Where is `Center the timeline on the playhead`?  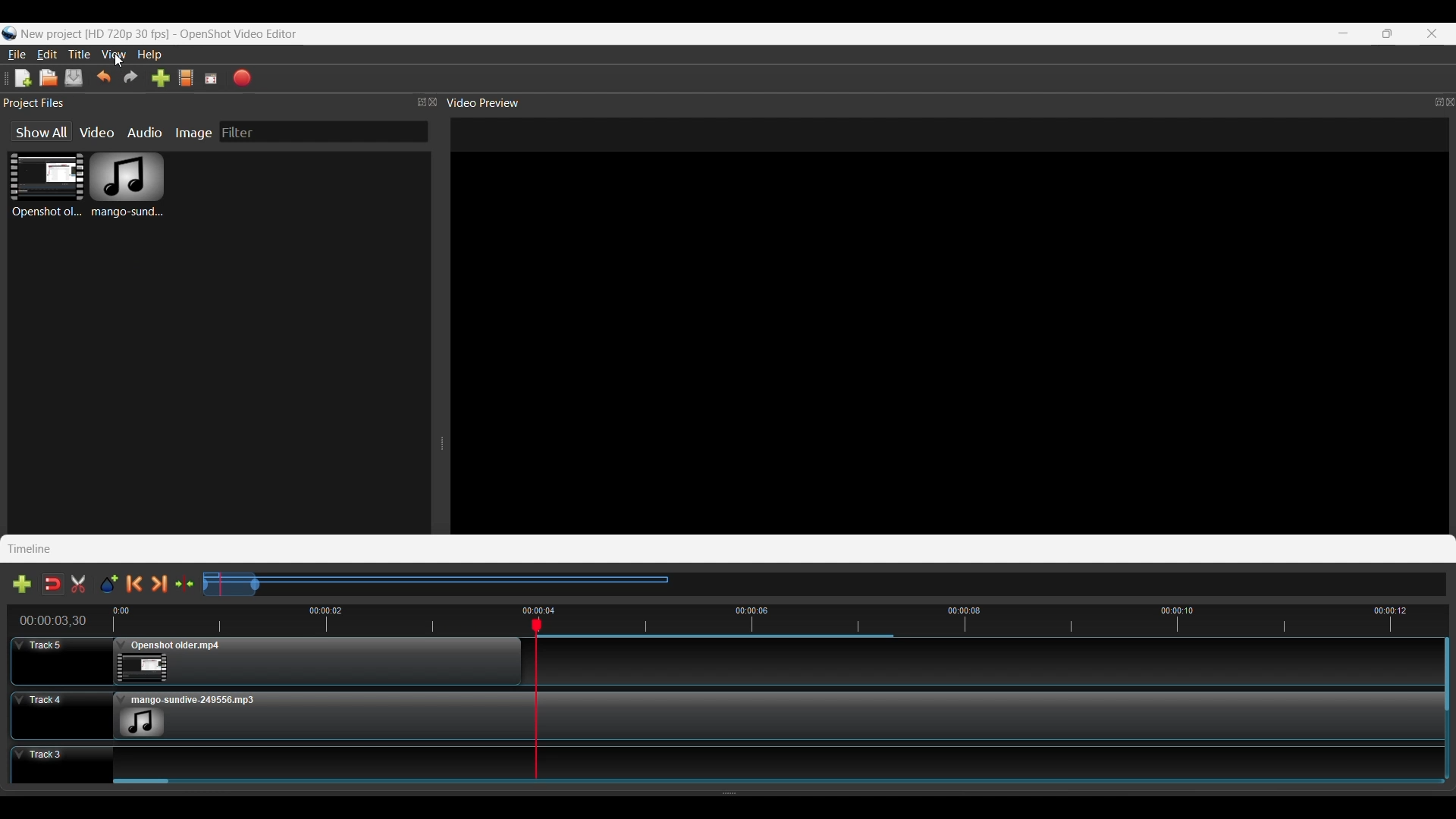
Center the timeline on the playhead is located at coordinates (185, 583).